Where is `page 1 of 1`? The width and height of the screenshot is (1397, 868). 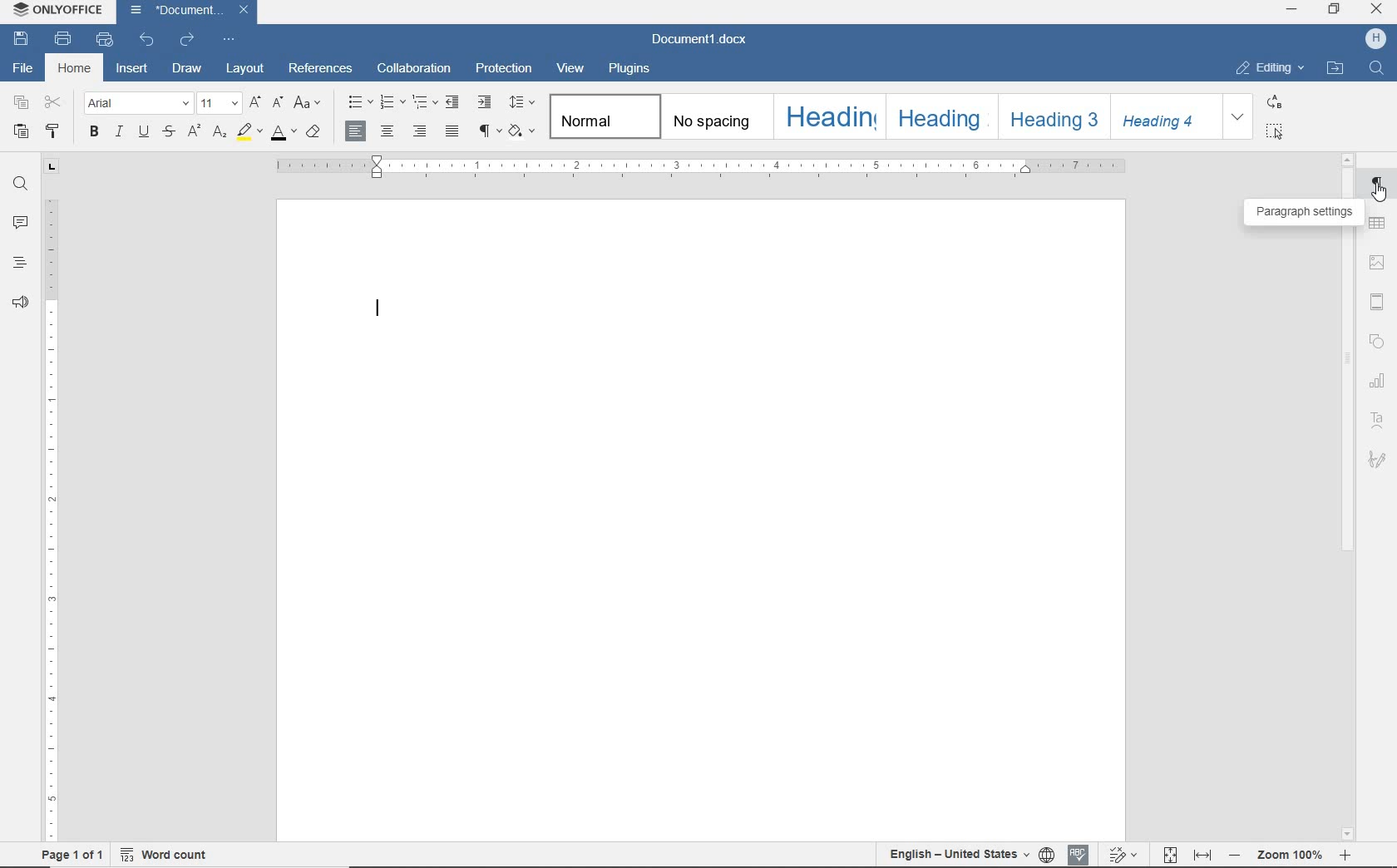
page 1 of 1 is located at coordinates (71, 857).